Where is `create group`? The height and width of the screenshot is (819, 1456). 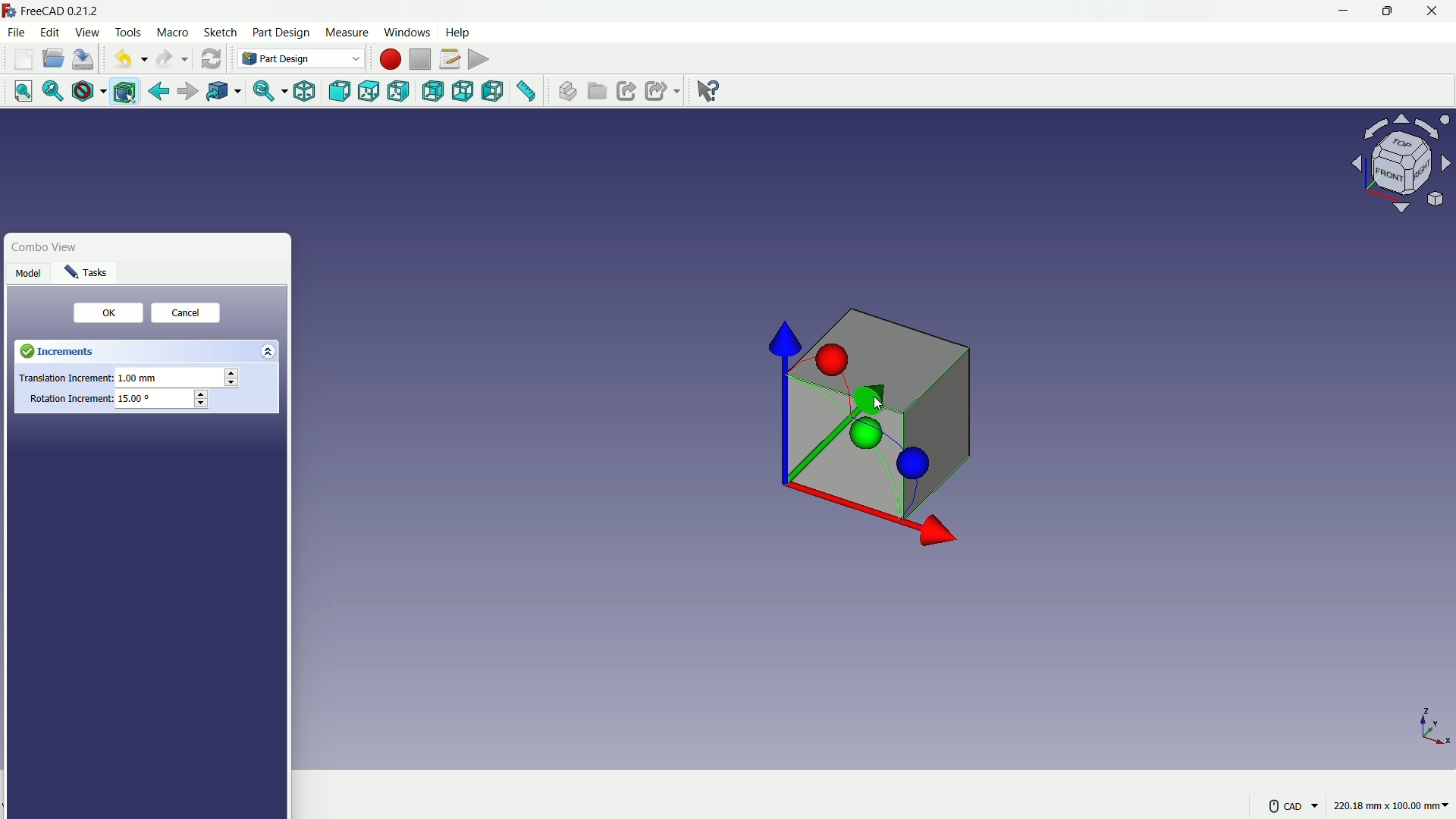
create group is located at coordinates (598, 93).